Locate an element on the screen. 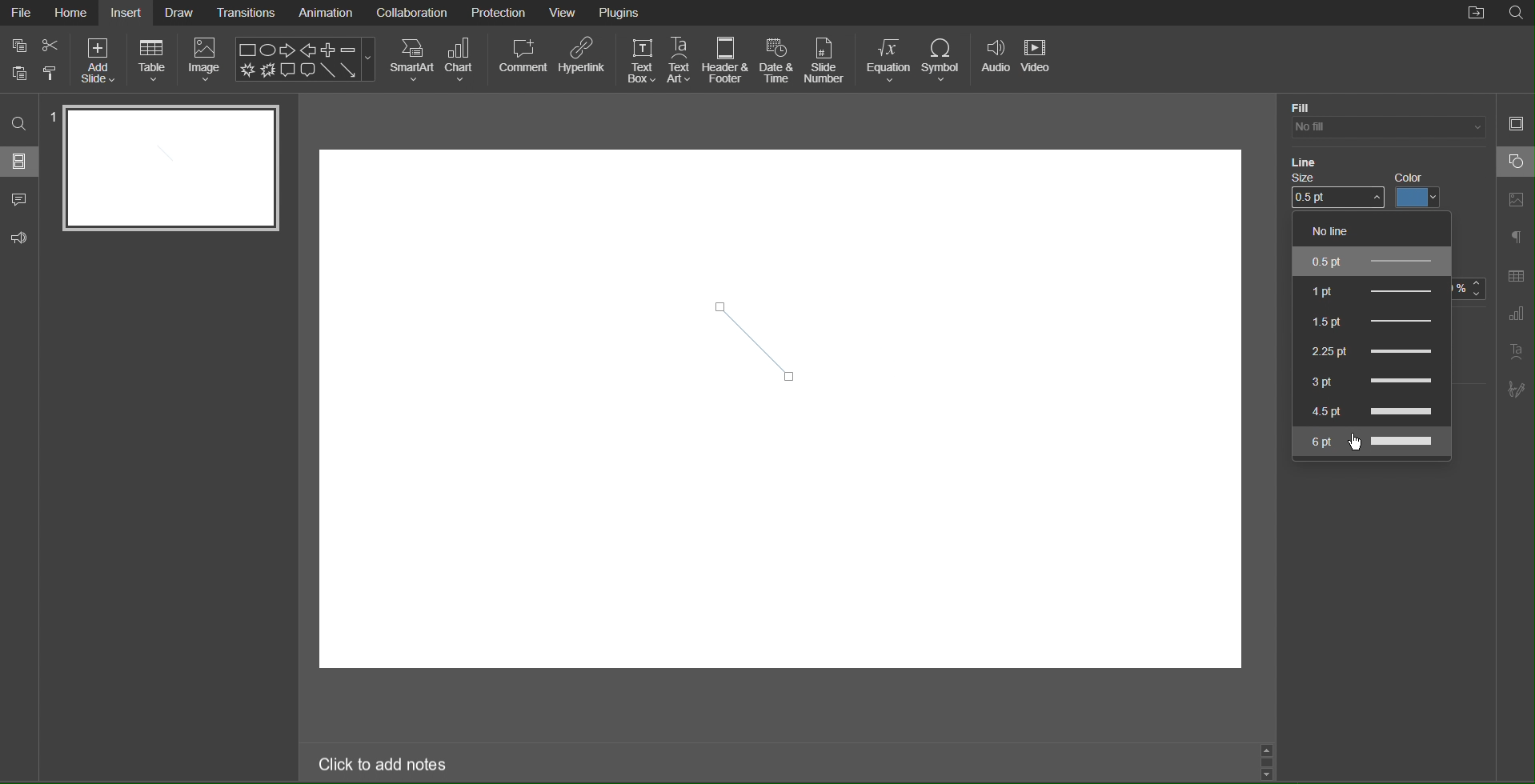 This screenshot has width=1535, height=784. View is located at coordinates (564, 14).